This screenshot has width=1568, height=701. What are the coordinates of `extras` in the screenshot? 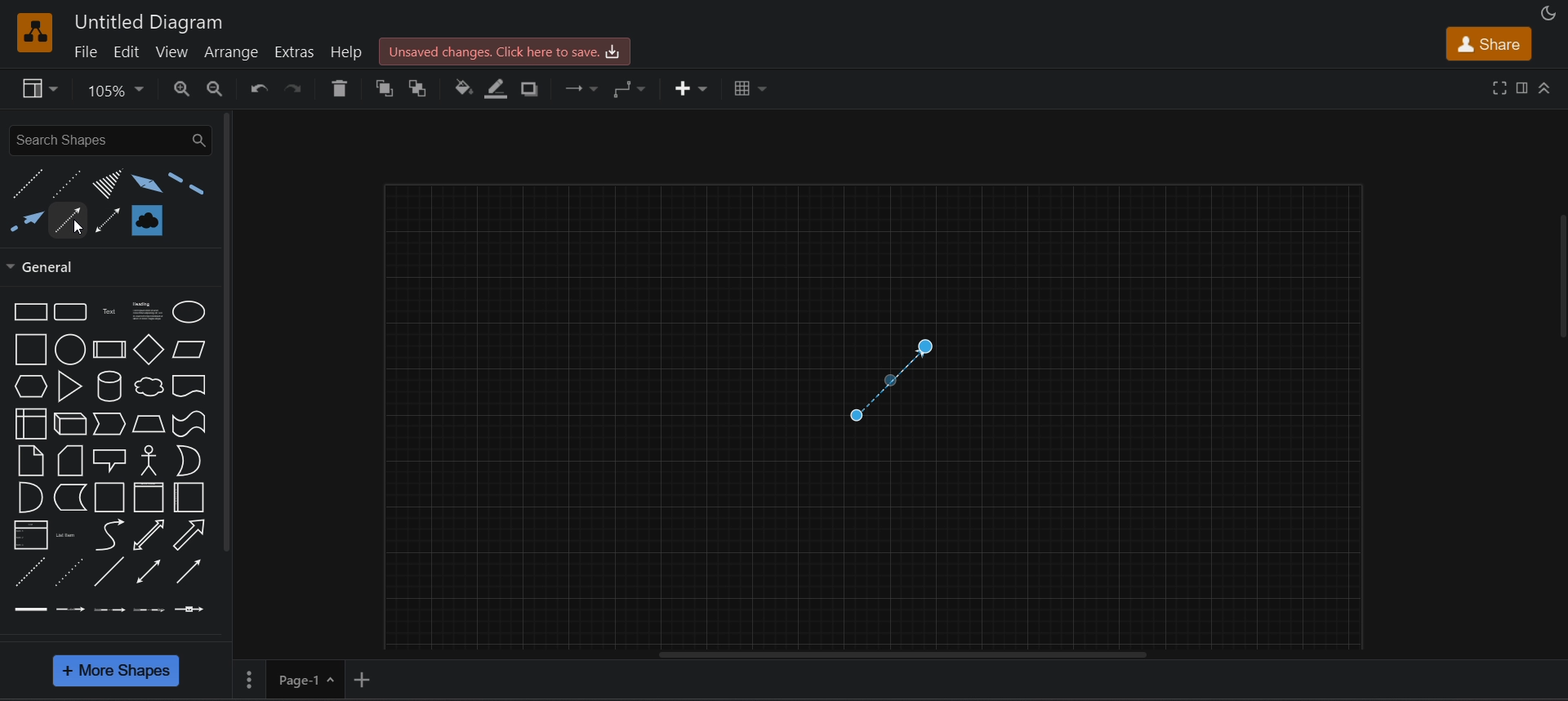 It's located at (295, 51).